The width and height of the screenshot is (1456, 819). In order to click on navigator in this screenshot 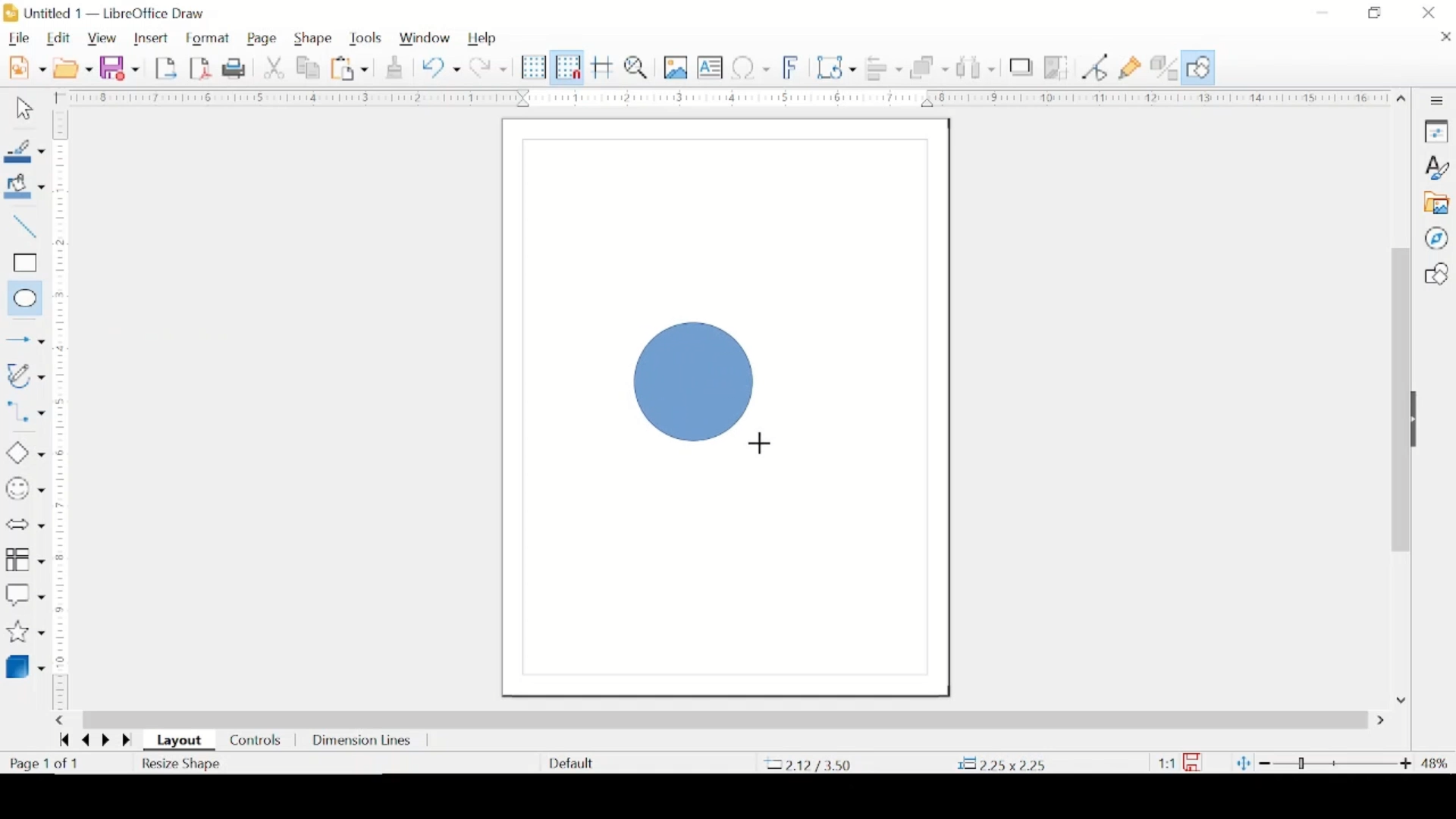, I will do `click(1436, 238)`.